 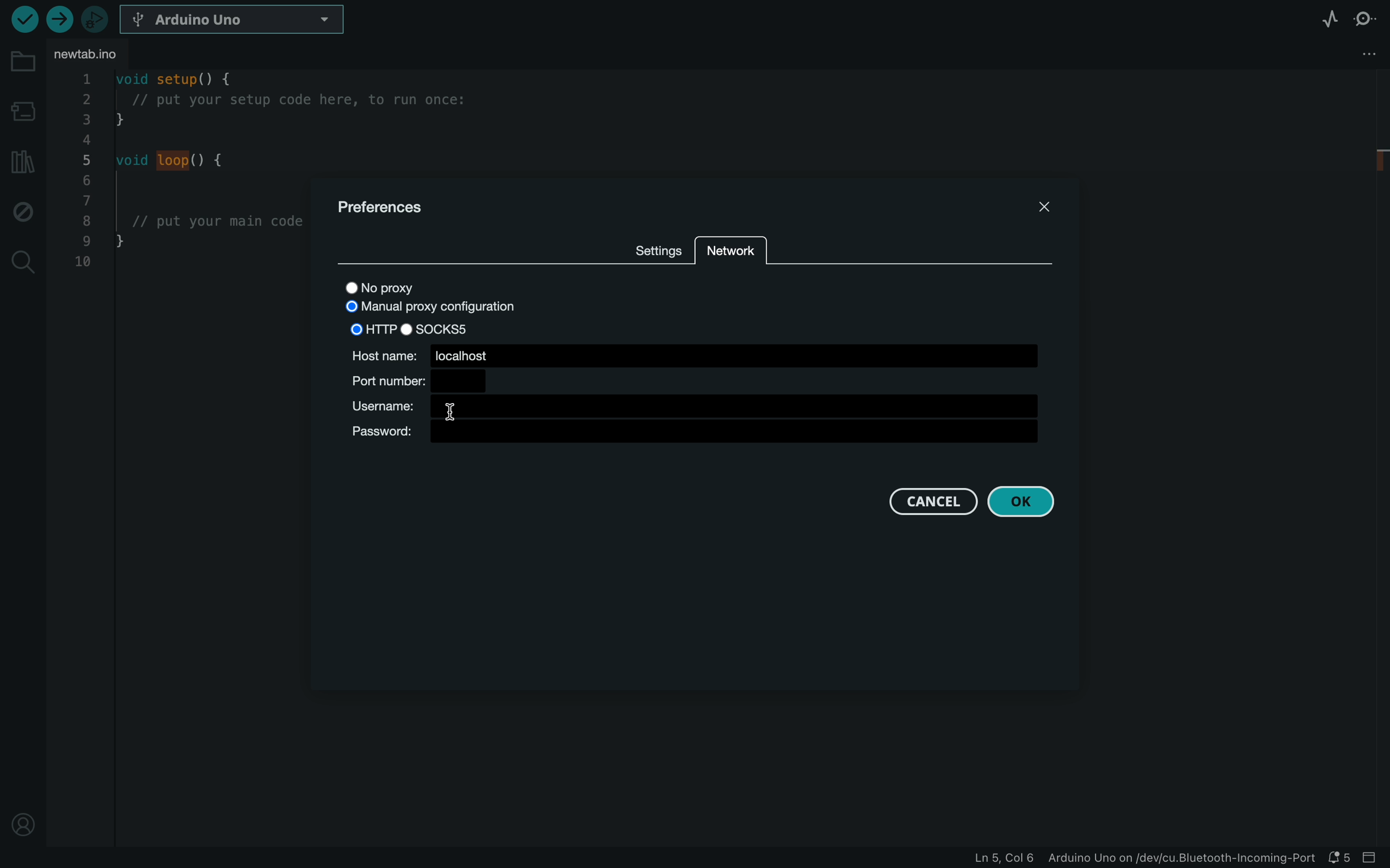 What do you see at coordinates (24, 62) in the screenshot?
I see `folder` at bounding box center [24, 62].